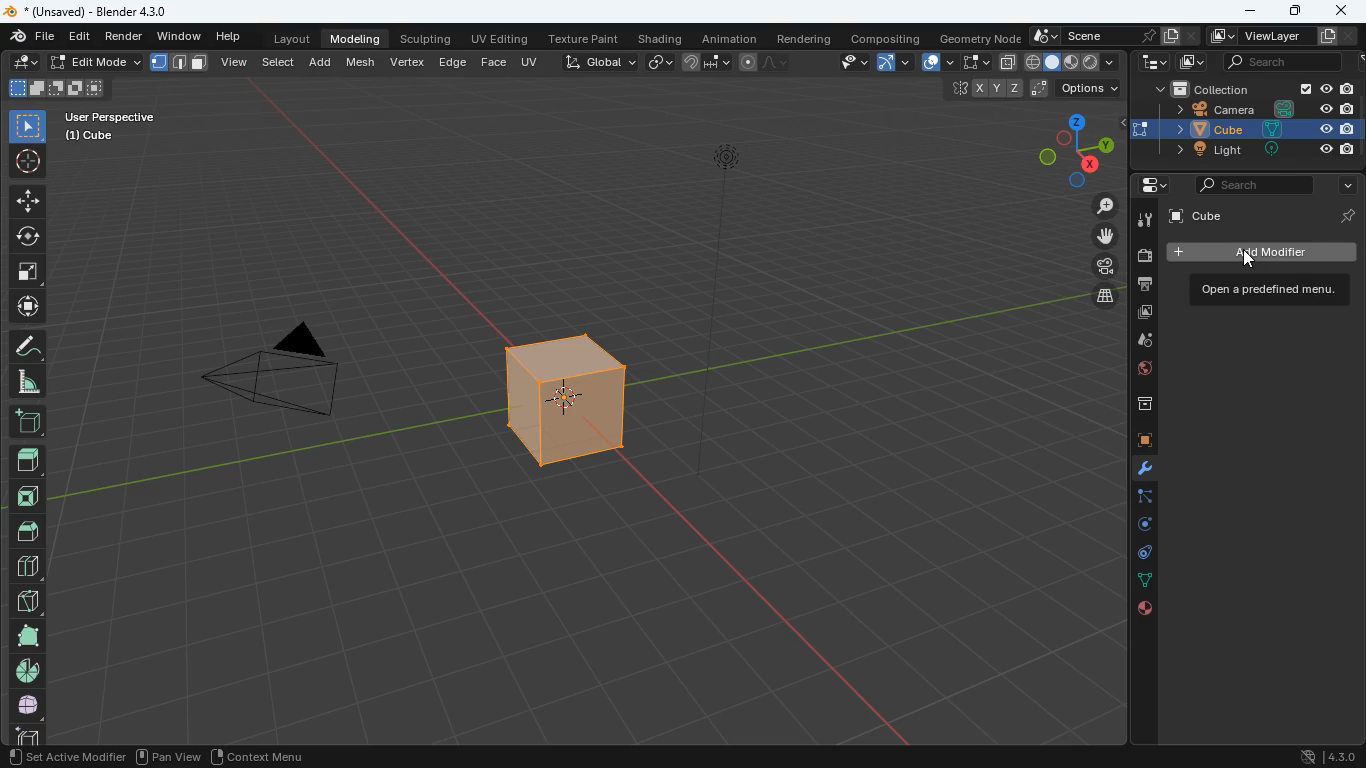 Image resolution: width=1366 pixels, height=768 pixels. Describe the element at coordinates (429, 39) in the screenshot. I see `sculpting` at that location.